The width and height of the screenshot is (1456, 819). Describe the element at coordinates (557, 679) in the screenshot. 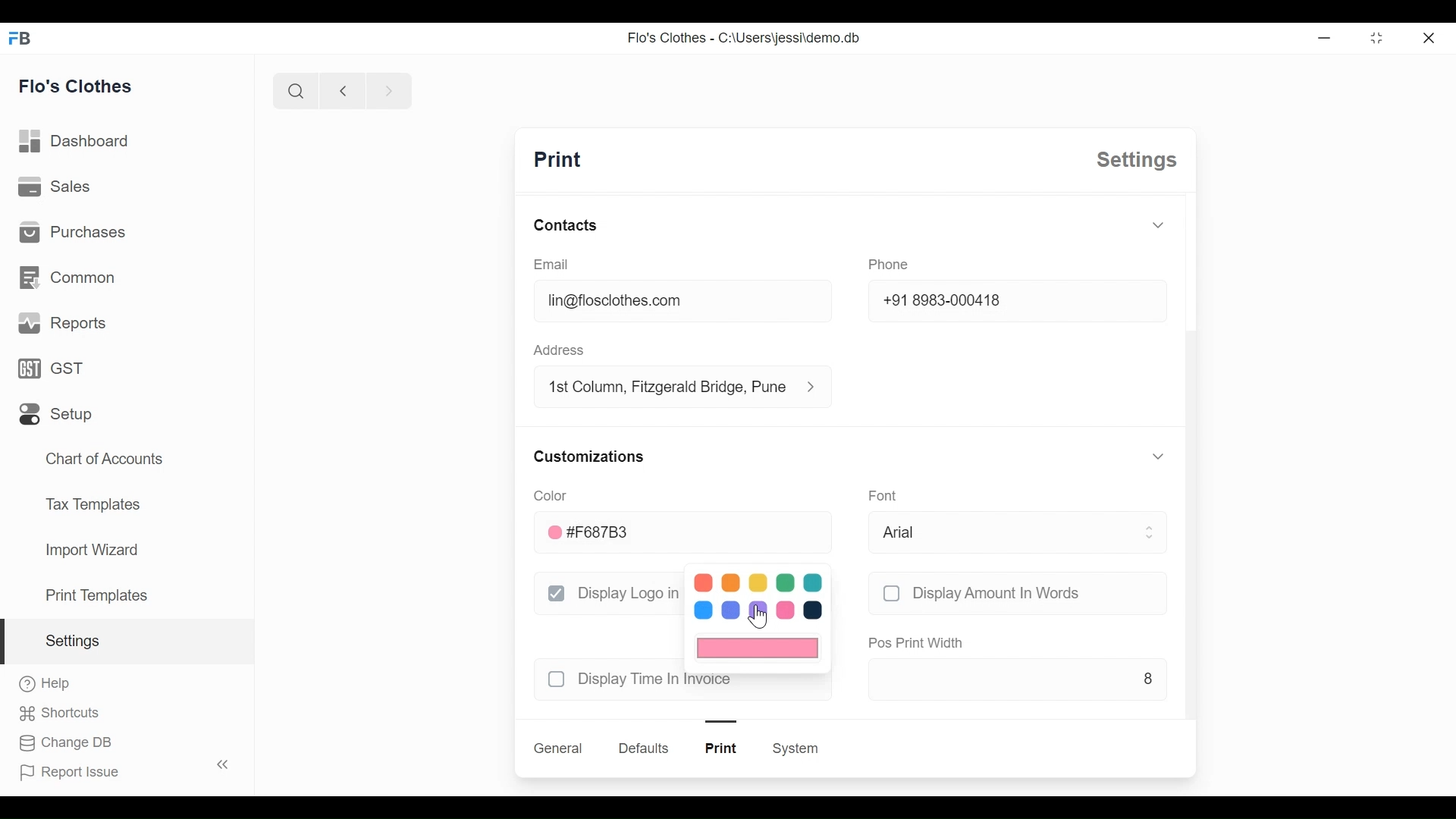

I see `checkbox` at that location.